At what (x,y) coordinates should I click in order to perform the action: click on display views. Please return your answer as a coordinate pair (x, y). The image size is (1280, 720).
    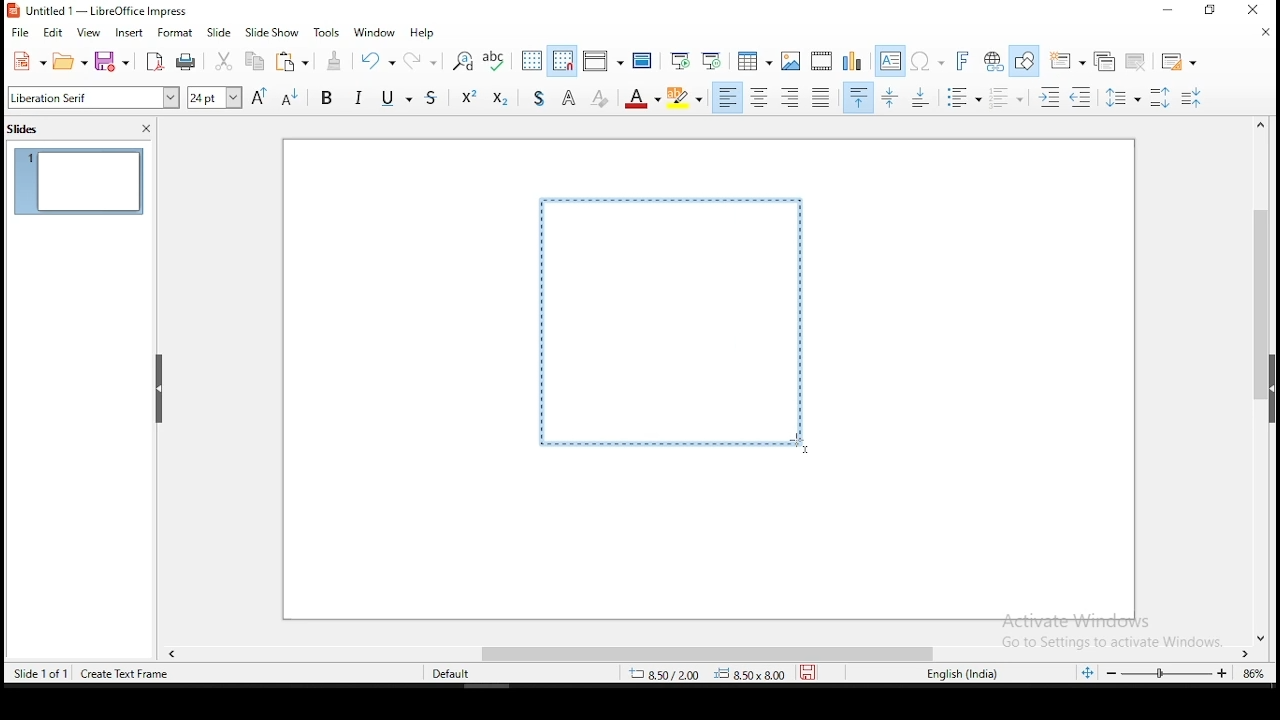
    Looking at the image, I should click on (604, 58).